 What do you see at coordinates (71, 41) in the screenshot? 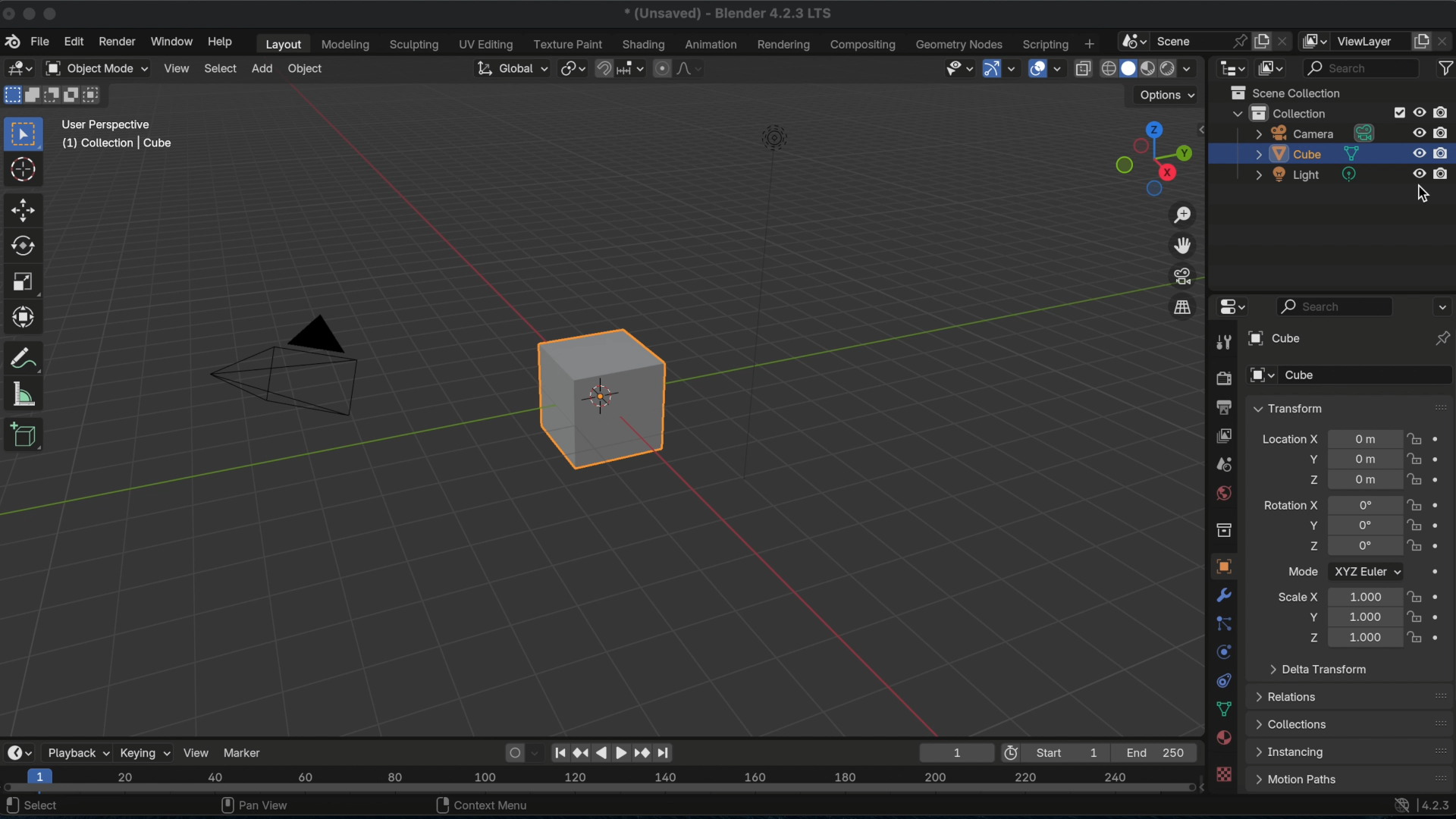
I see `edit` at bounding box center [71, 41].